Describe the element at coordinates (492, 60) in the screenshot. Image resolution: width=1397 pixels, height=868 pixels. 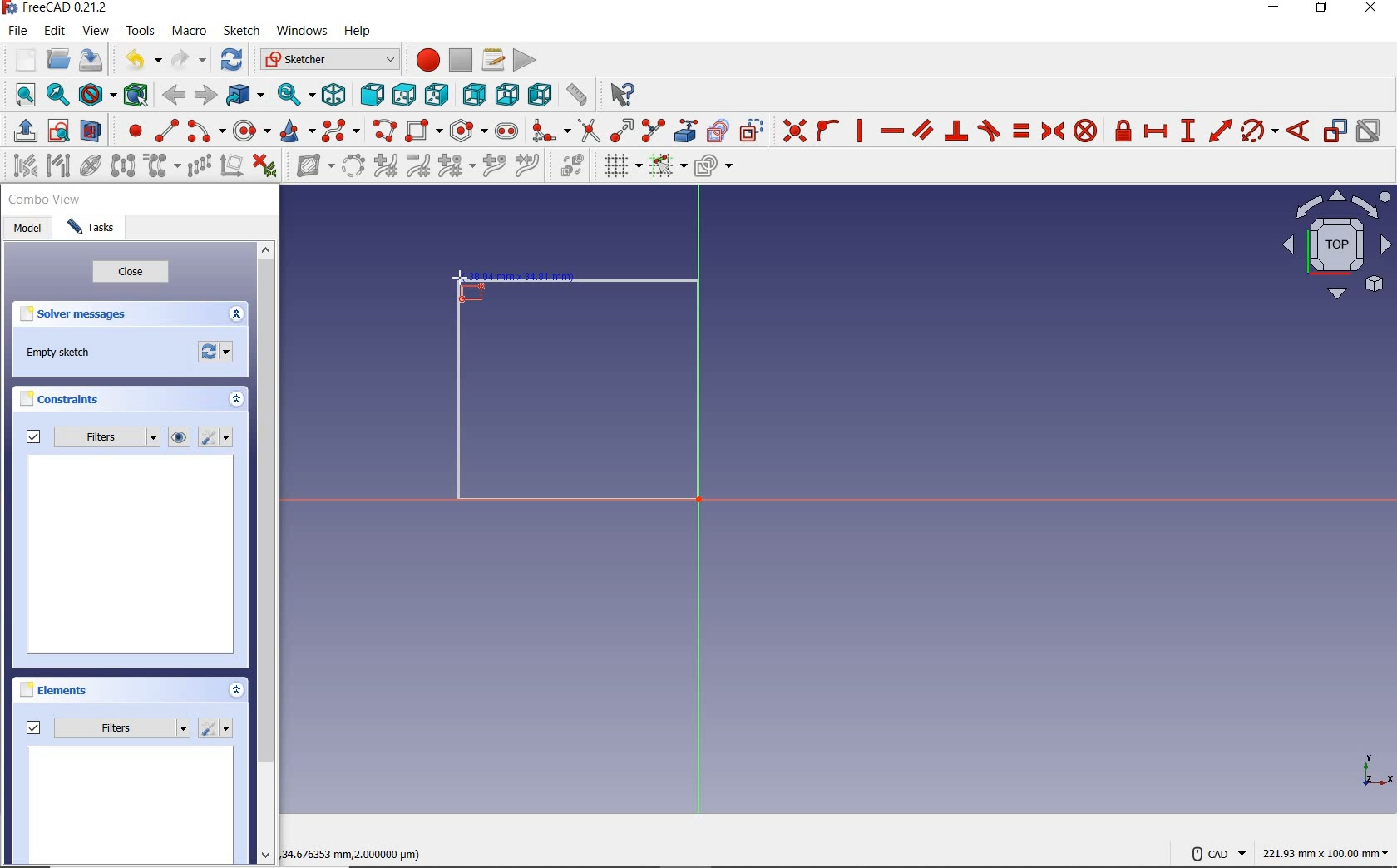
I see `macros` at that location.